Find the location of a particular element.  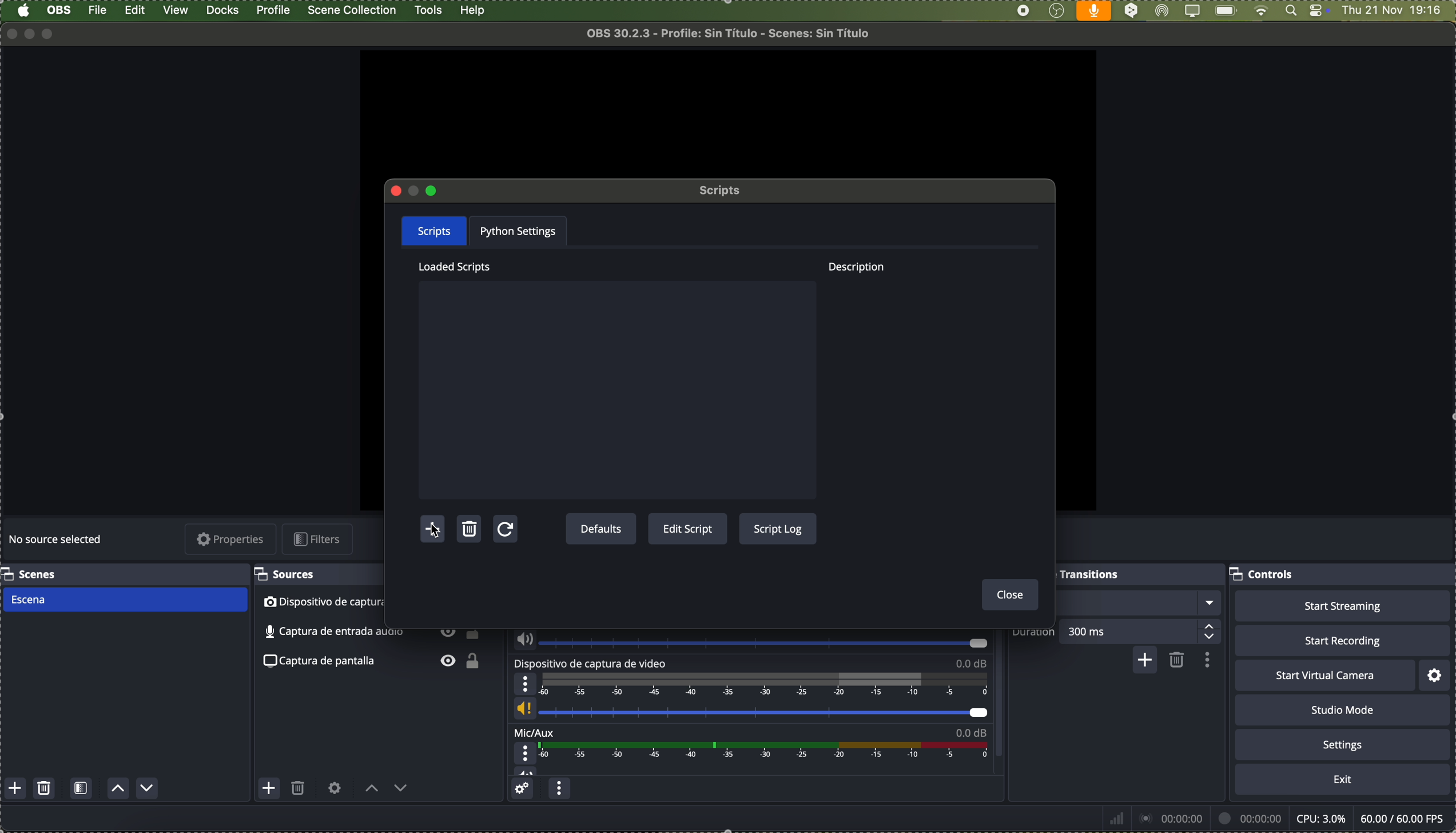

stop recording is located at coordinates (1023, 11).